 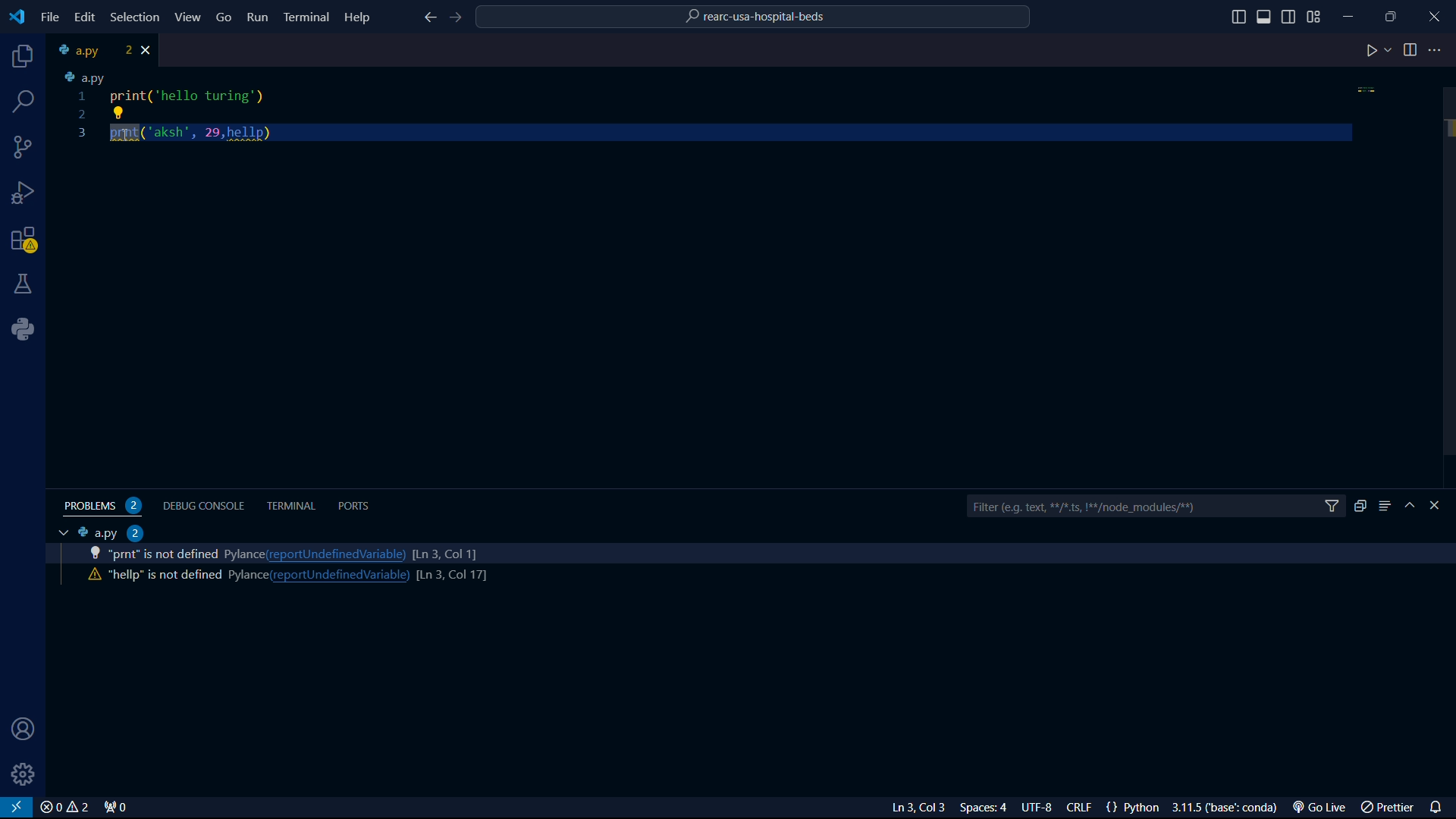 What do you see at coordinates (1389, 808) in the screenshot?
I see `prettier` at bounding box center [1389, 808].